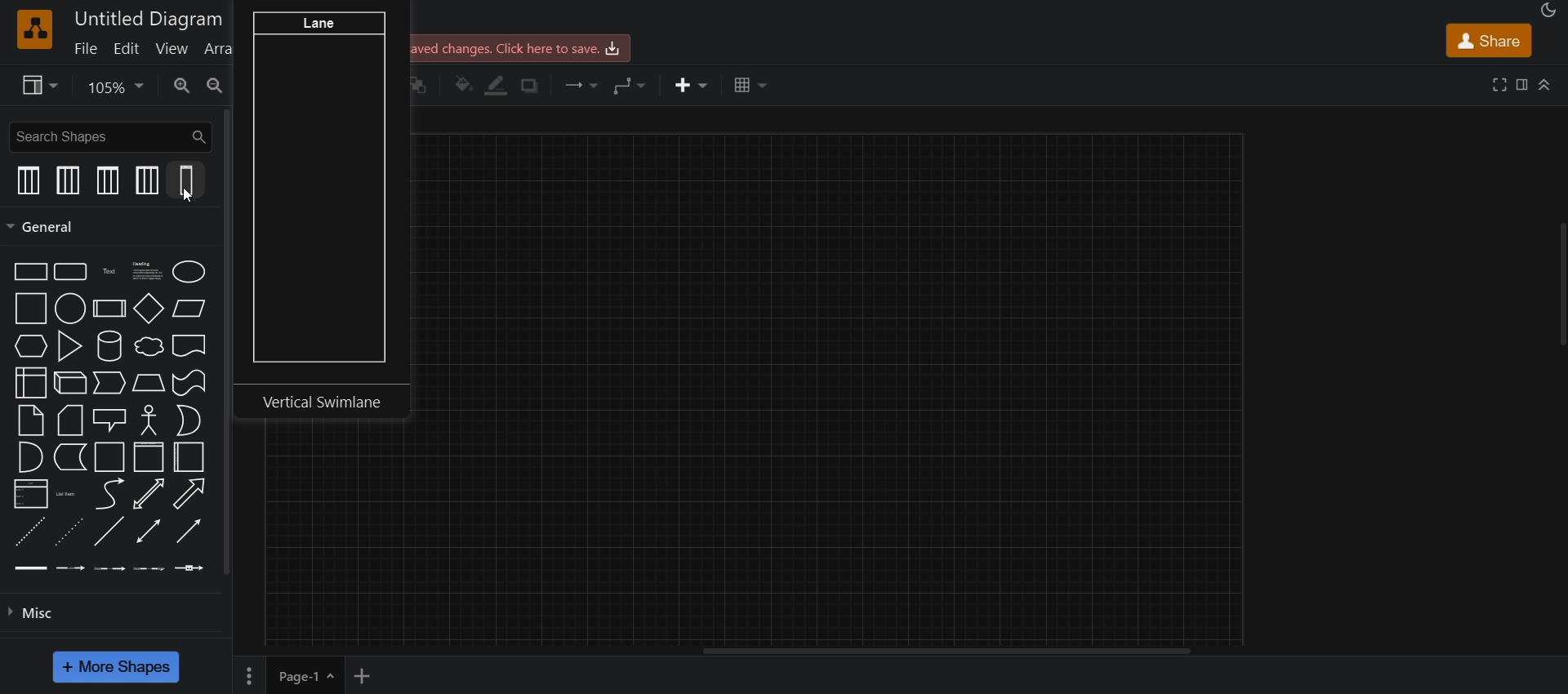  Describe the element at coordinates (584, 84) in the screenshot. I see `connection` at that location.